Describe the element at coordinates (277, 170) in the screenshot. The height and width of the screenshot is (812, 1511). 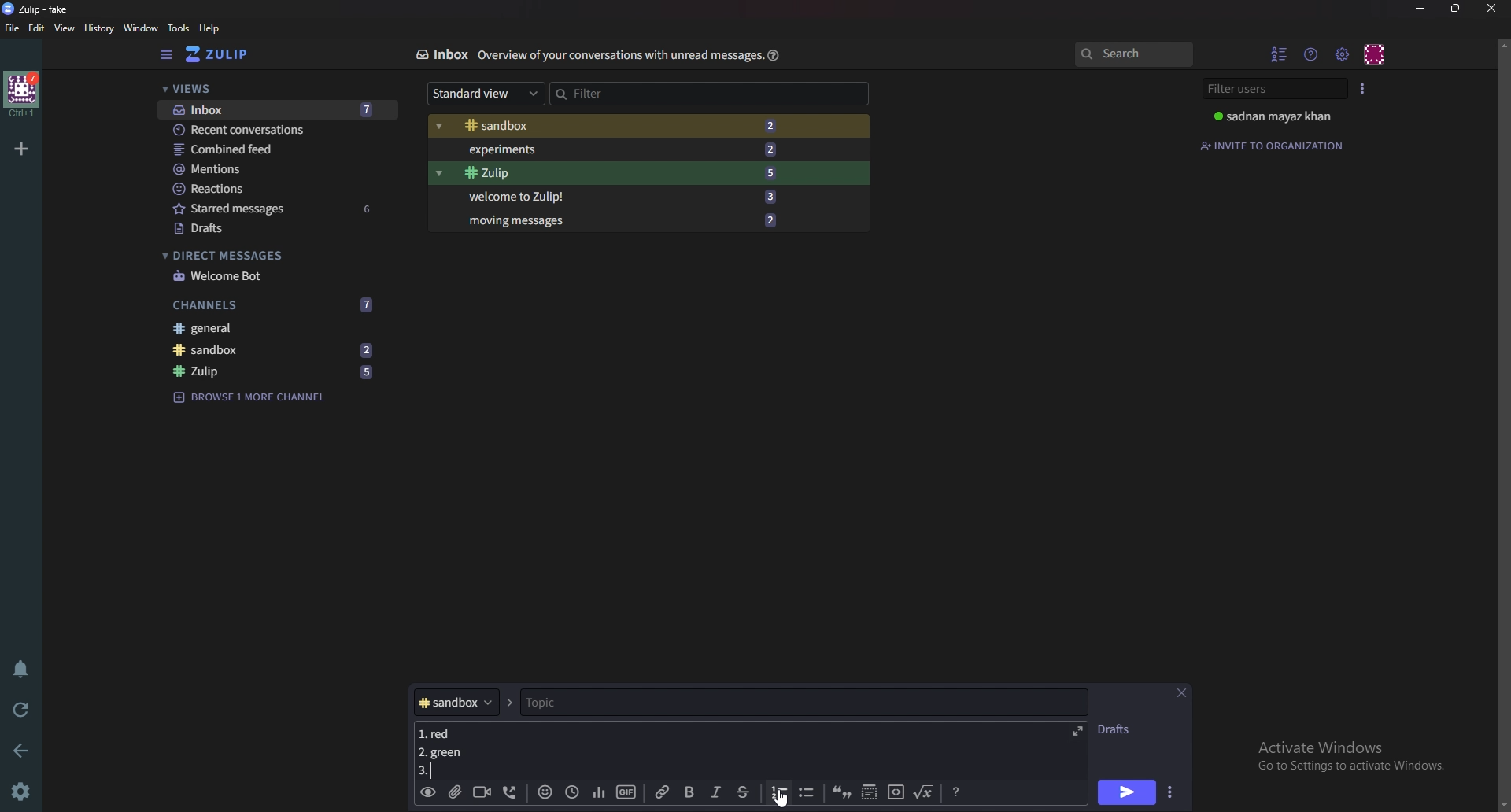
I see `mentions` at that location.